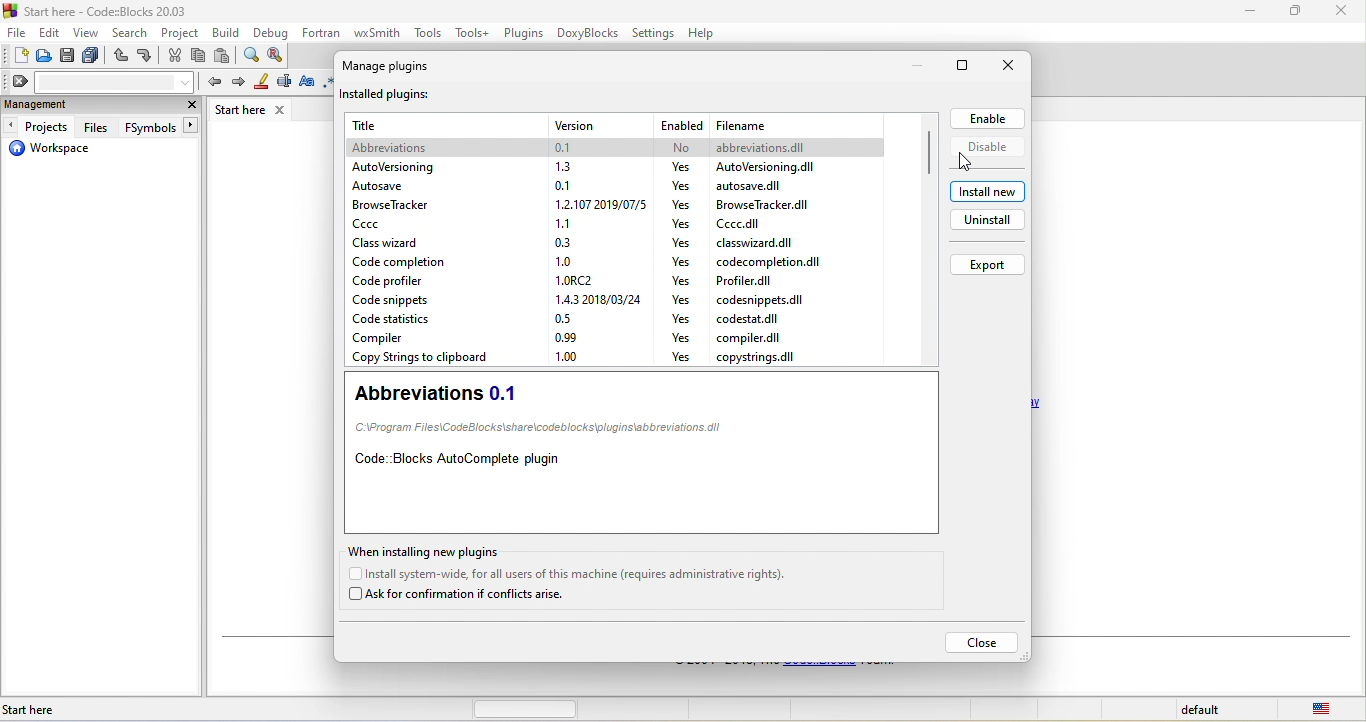 The height and width of the screenshot is (722, 1366). I want to click on install system wide for all users of this machine, so click(583, 574).